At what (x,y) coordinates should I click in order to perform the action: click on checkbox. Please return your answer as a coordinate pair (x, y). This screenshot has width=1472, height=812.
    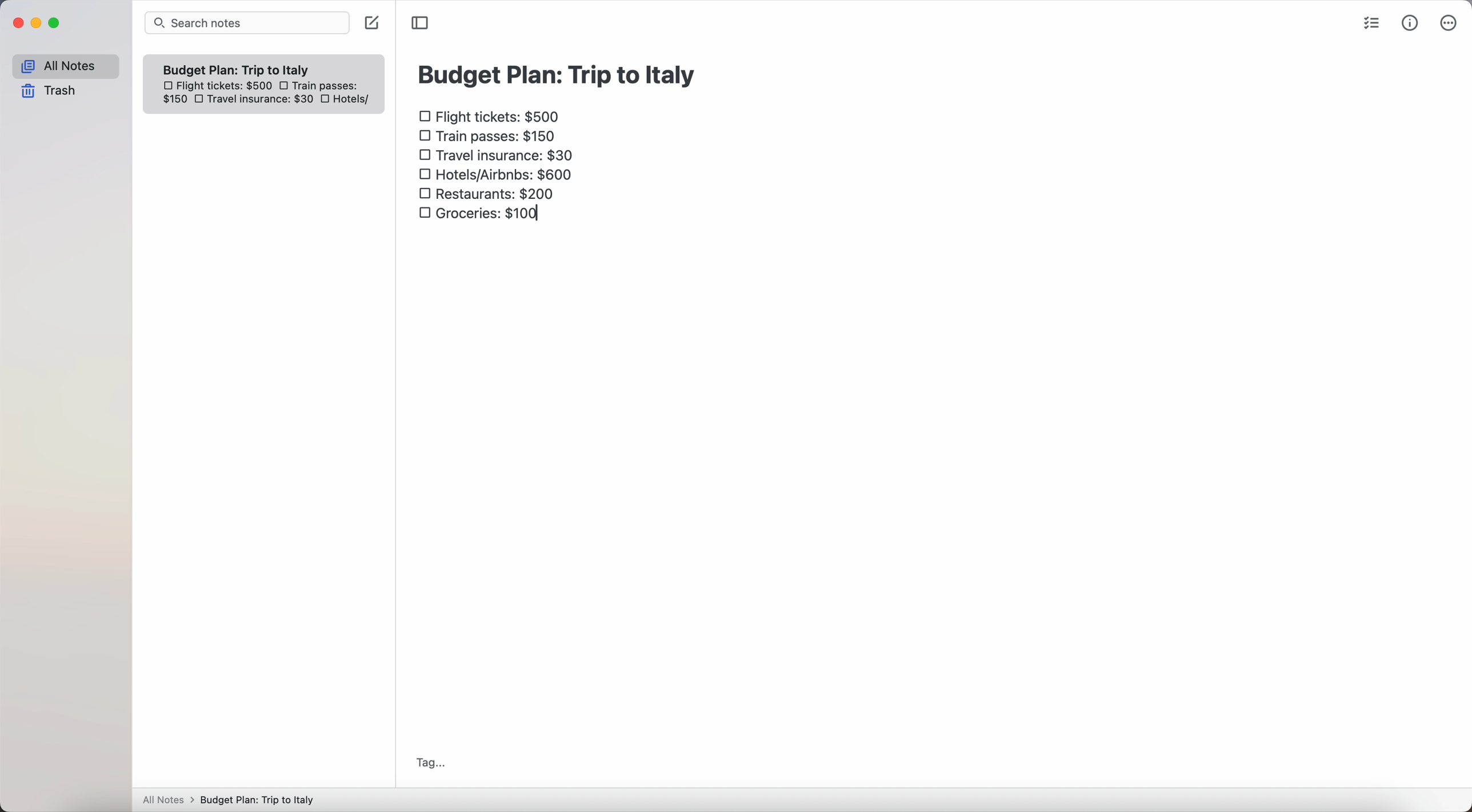
    Looking at the image, I should click on (286, 86).